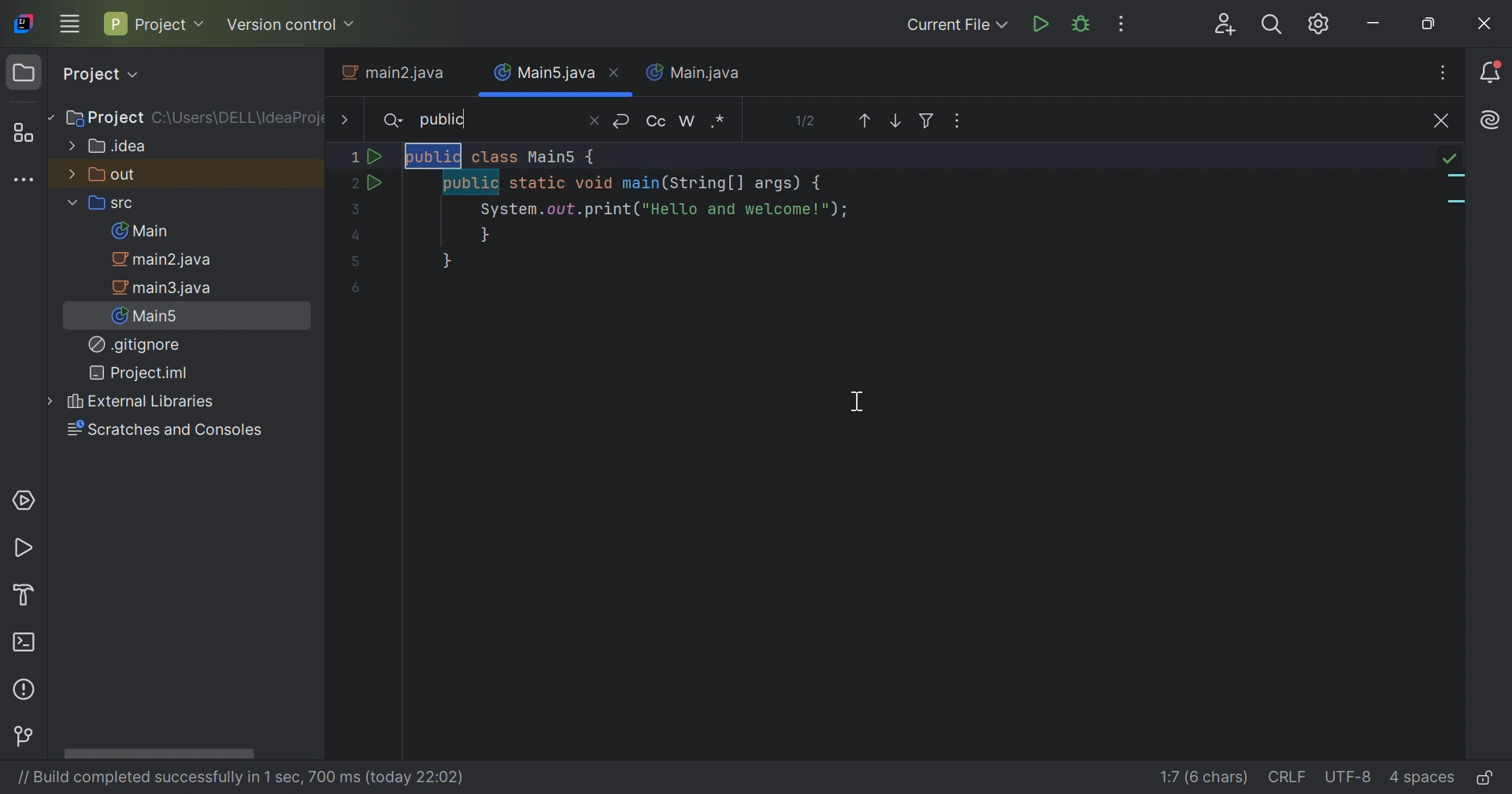  What do you see at coordinates (1084, 24) in the screenshot?
I see `Debug` at bounding box center [1084, 24].